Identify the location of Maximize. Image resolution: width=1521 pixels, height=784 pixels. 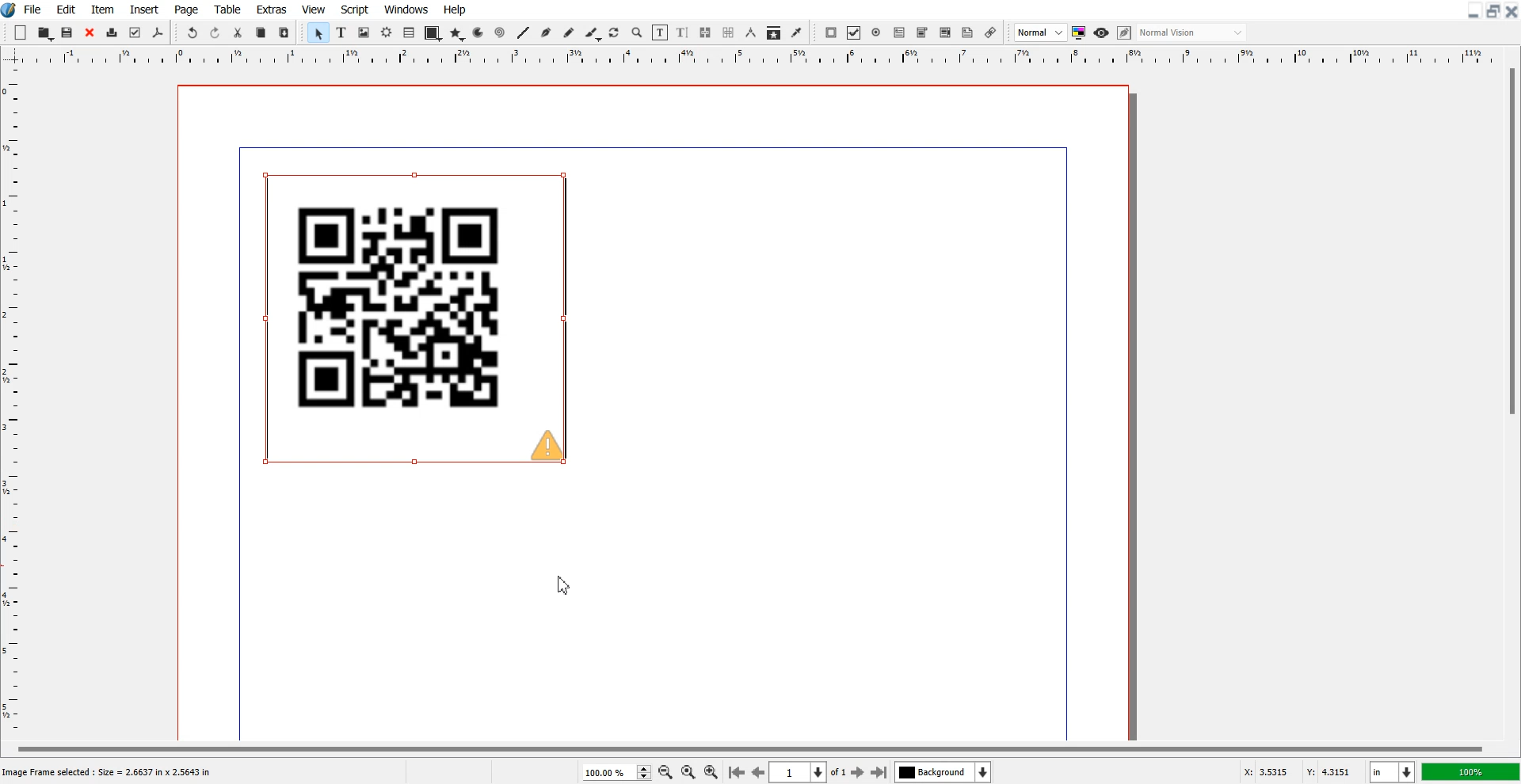
(1492, 11).